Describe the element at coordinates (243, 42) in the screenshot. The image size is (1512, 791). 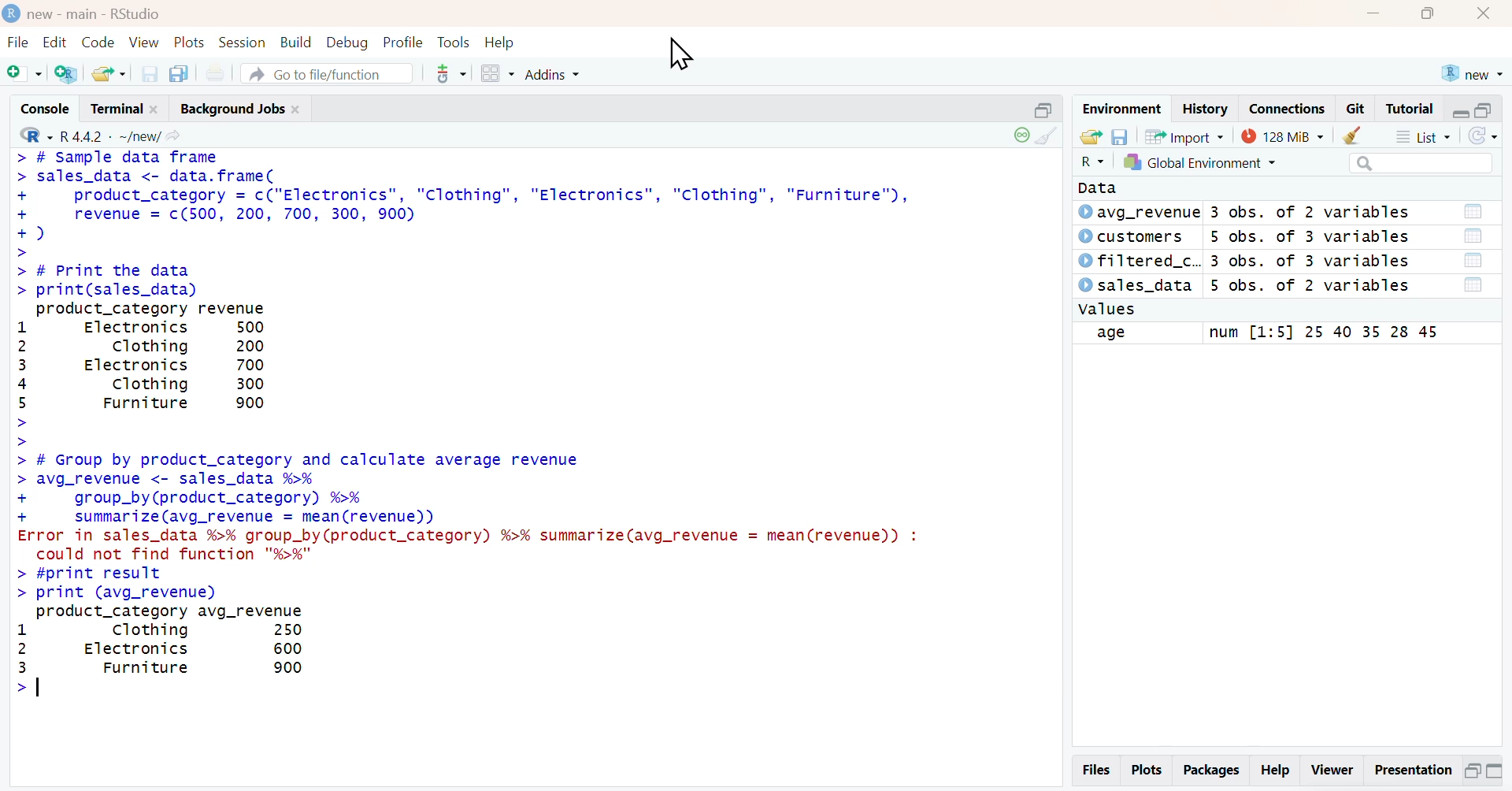
I see `Session` at that location.